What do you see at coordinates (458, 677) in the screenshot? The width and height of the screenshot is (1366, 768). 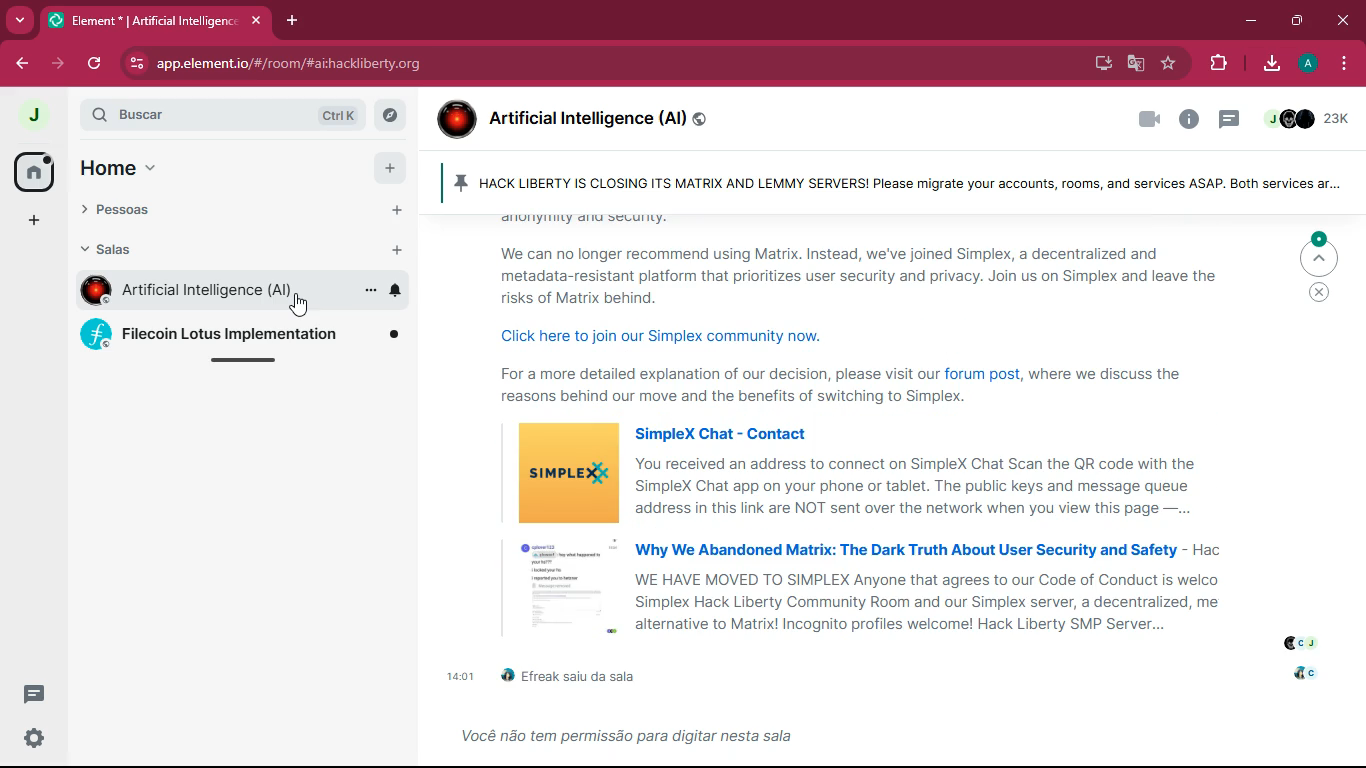 I see `14:01` at bounding box center [458, 677].